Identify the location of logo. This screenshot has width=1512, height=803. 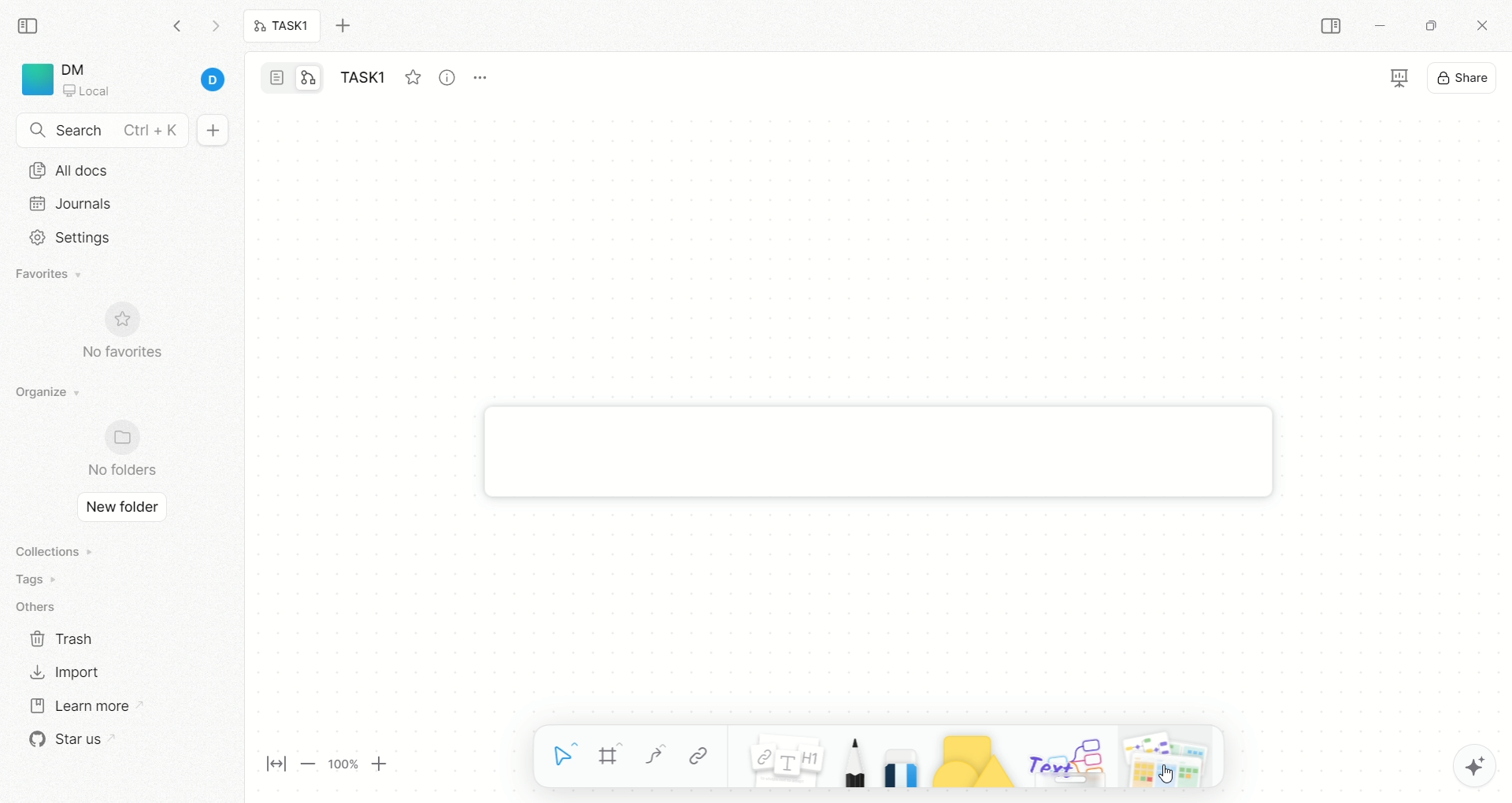
(35, 80).